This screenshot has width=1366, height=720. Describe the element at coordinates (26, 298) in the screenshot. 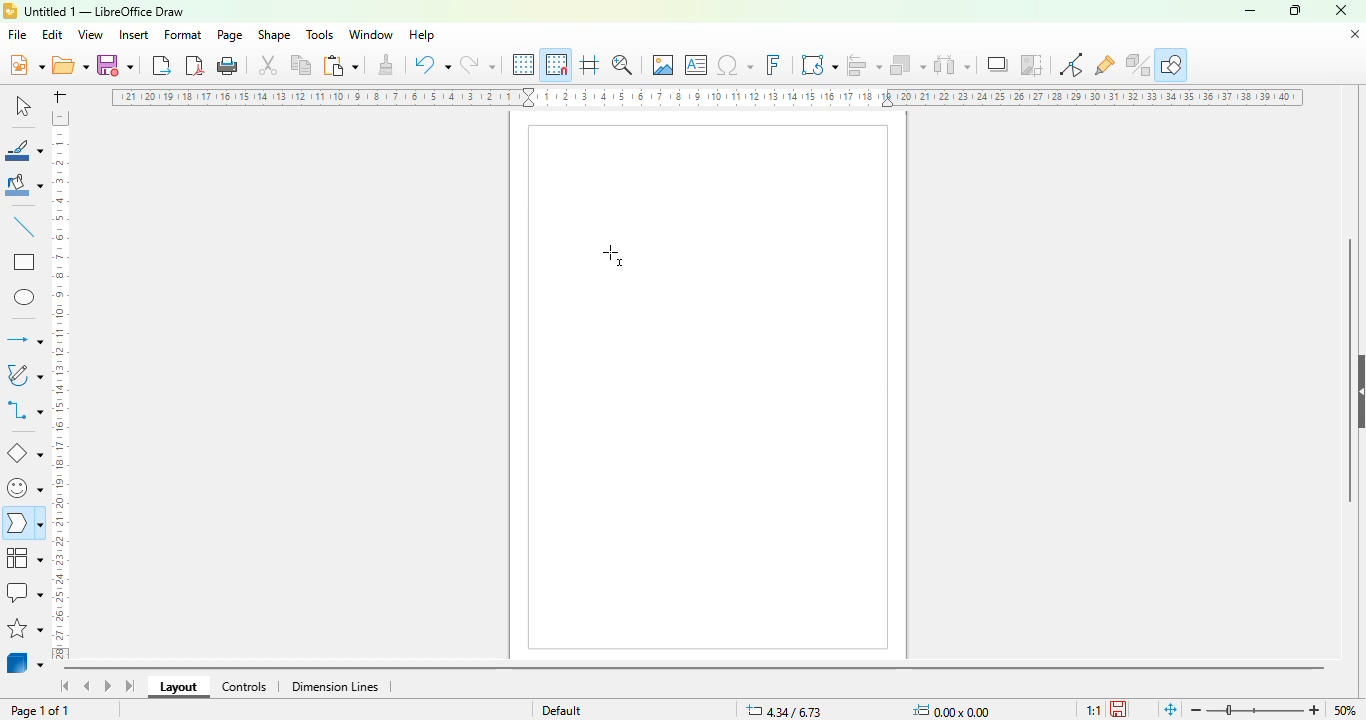

I see `ellipse` at that location.